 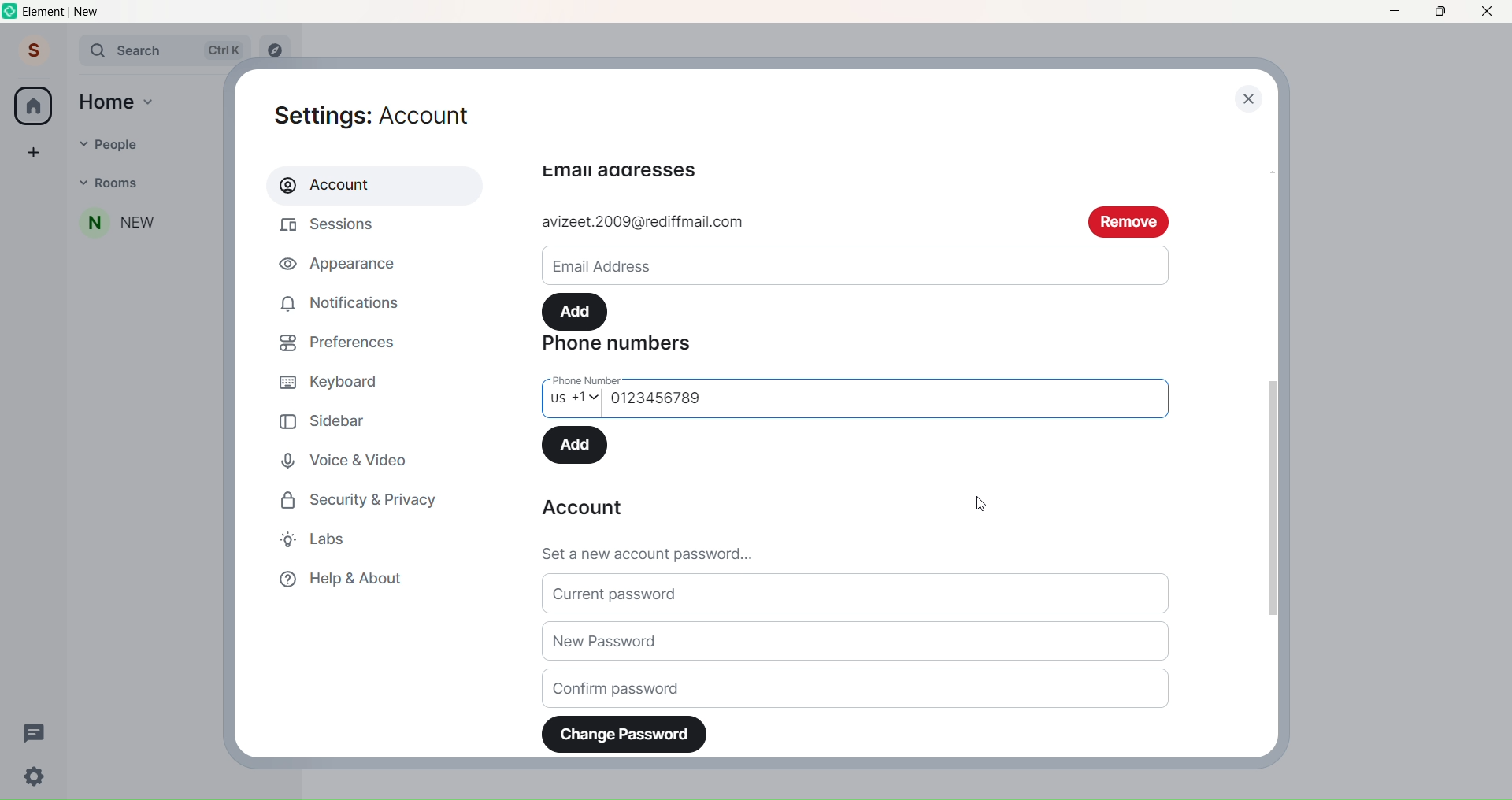 What do you see at coordinates (354, 579) in the screenshot?
I see `Help & About` at bounding box center [354, 579].